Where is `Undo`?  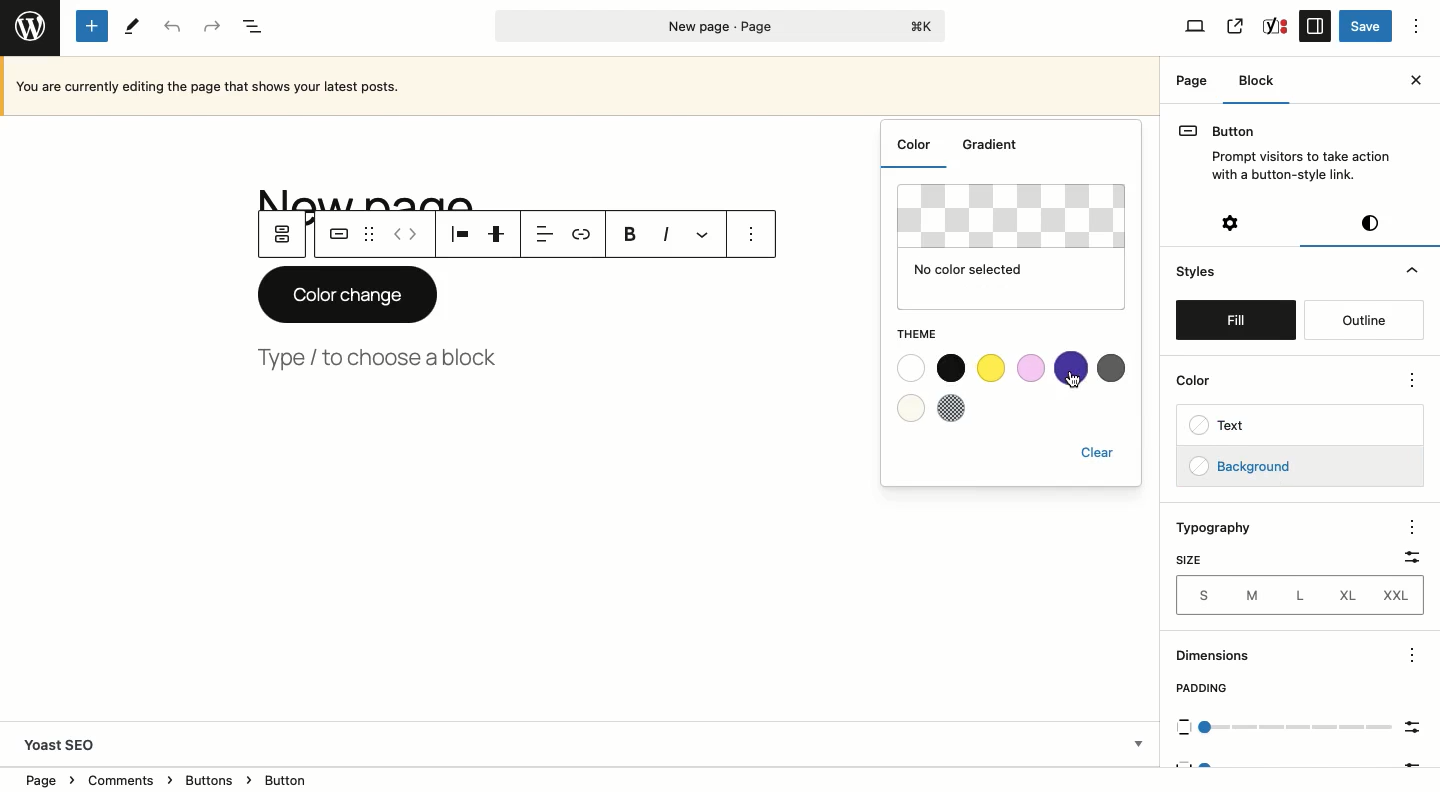
Undo is located at coordinates (172, 28).